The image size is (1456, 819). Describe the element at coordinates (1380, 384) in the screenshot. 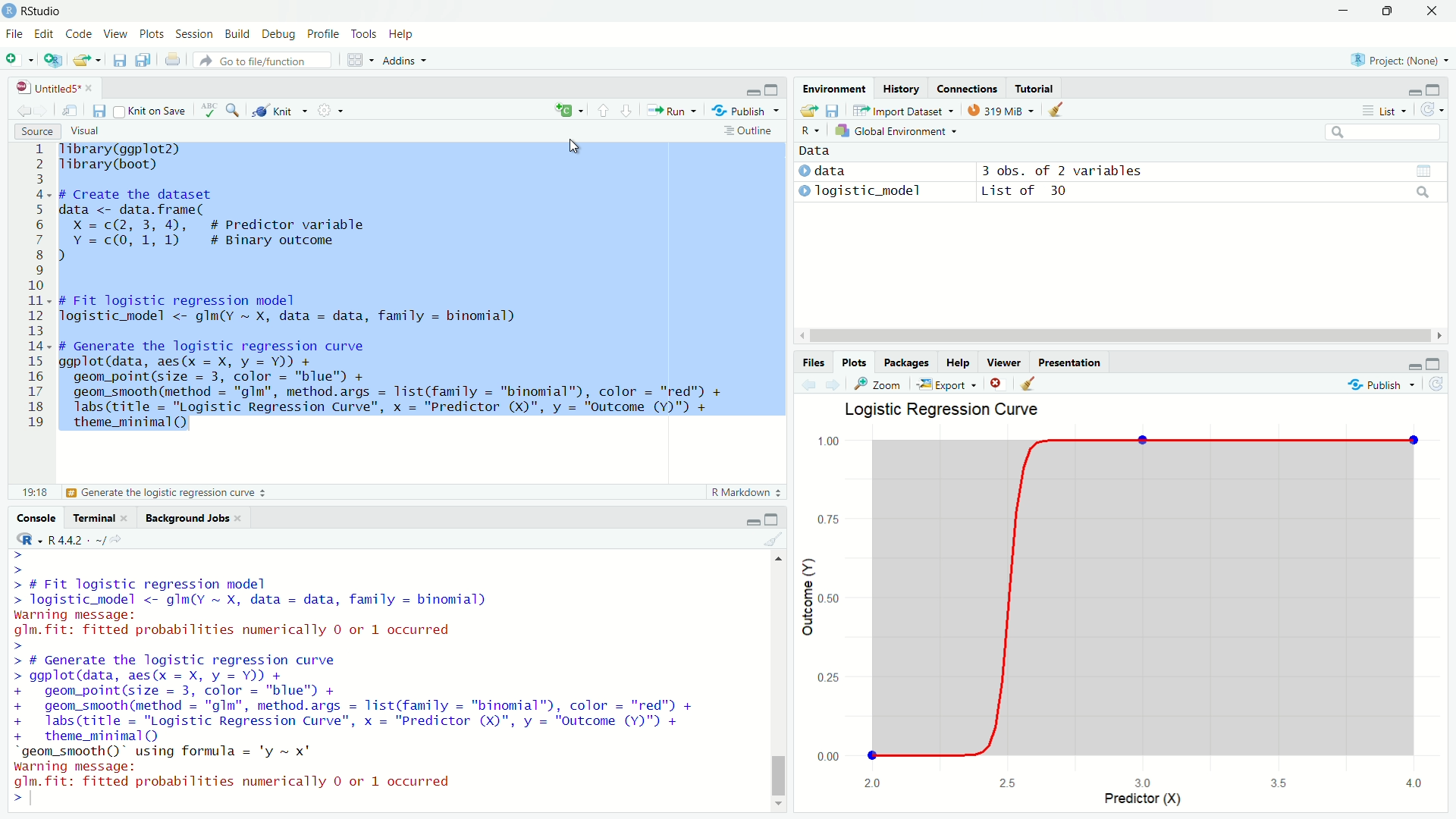

I see `Publish` at that location.